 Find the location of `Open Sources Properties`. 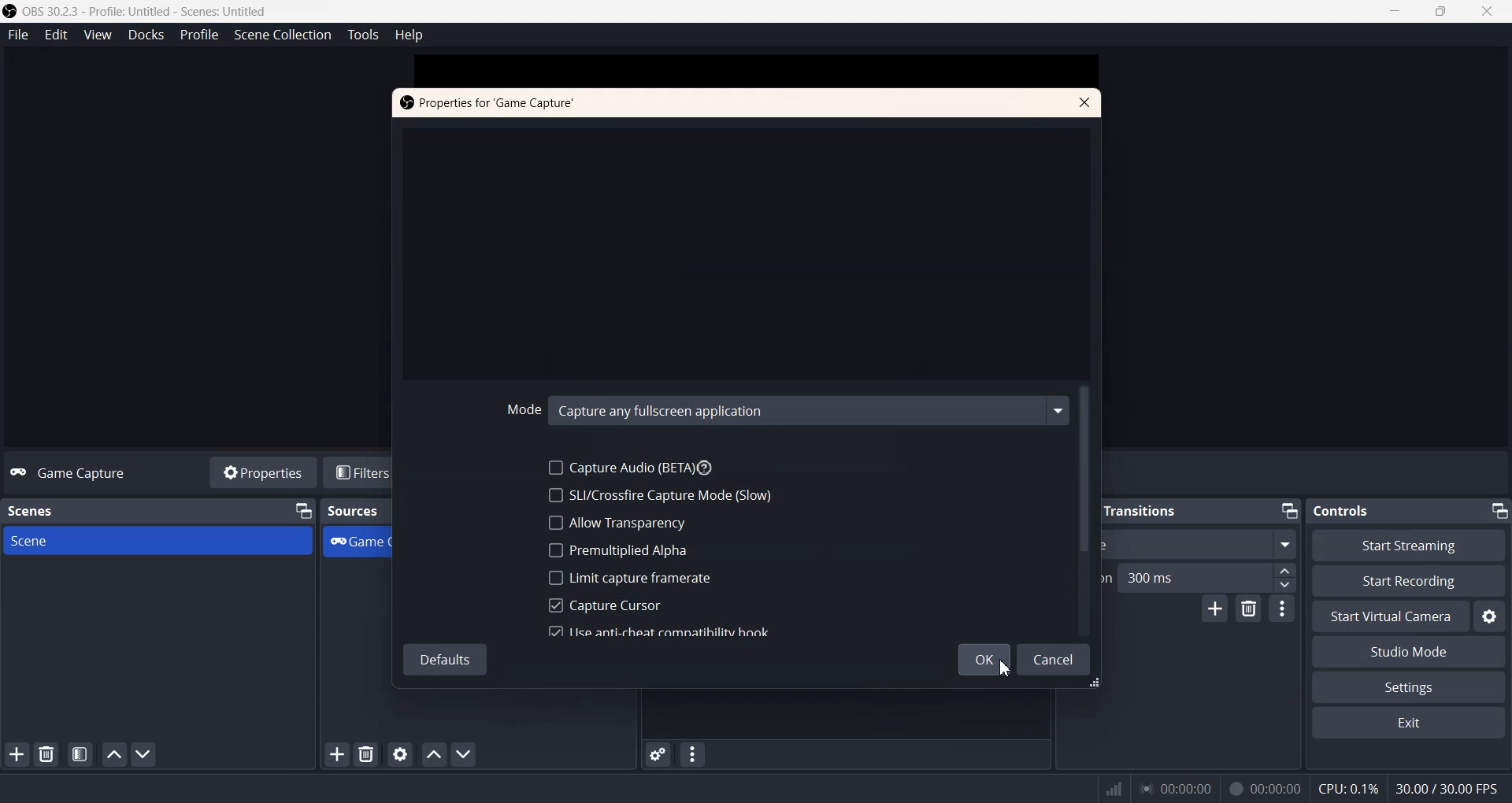

Open Sources Properties is located at coordinates (401, 754).